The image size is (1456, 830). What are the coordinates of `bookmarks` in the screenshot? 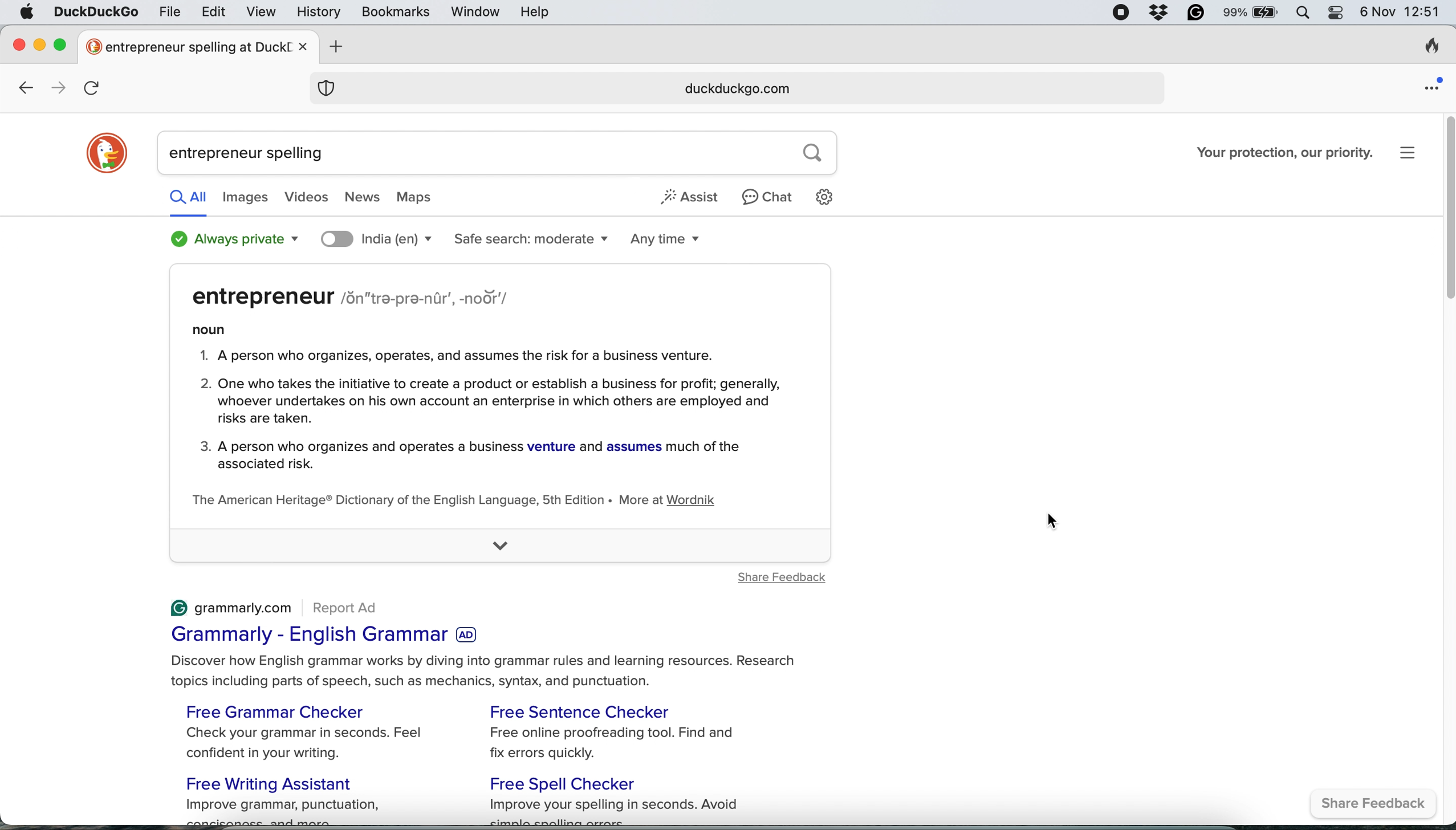 It's located at (396, 13).